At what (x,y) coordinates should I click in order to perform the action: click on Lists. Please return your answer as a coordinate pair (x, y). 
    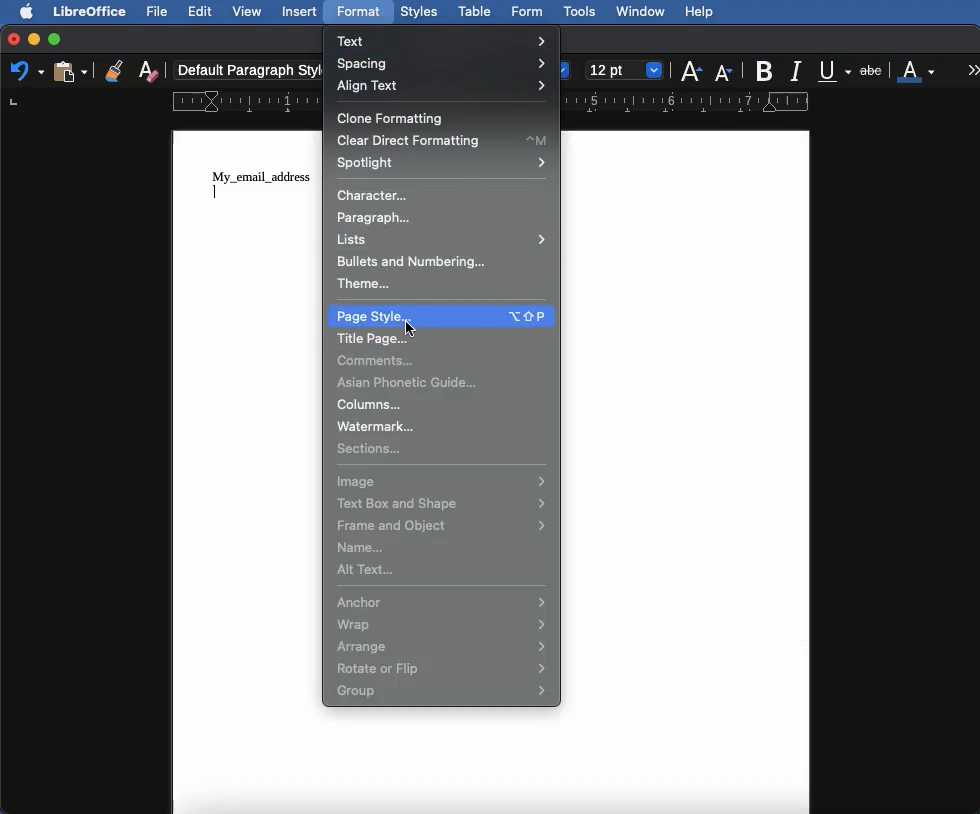
    Looking at the image, I should click on (444, 240).